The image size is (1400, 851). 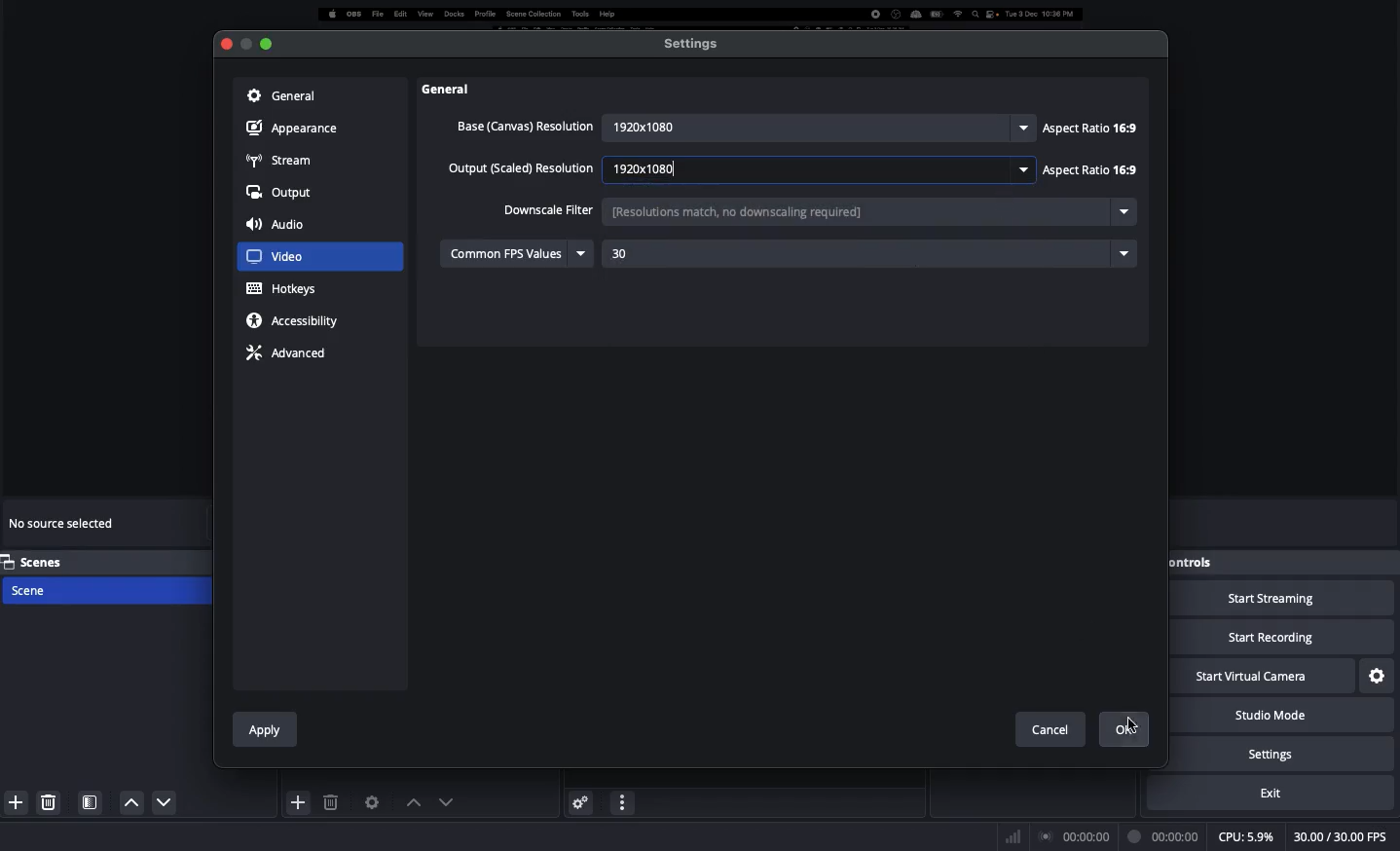 I want to click on Add, so click(x=299, y=801).